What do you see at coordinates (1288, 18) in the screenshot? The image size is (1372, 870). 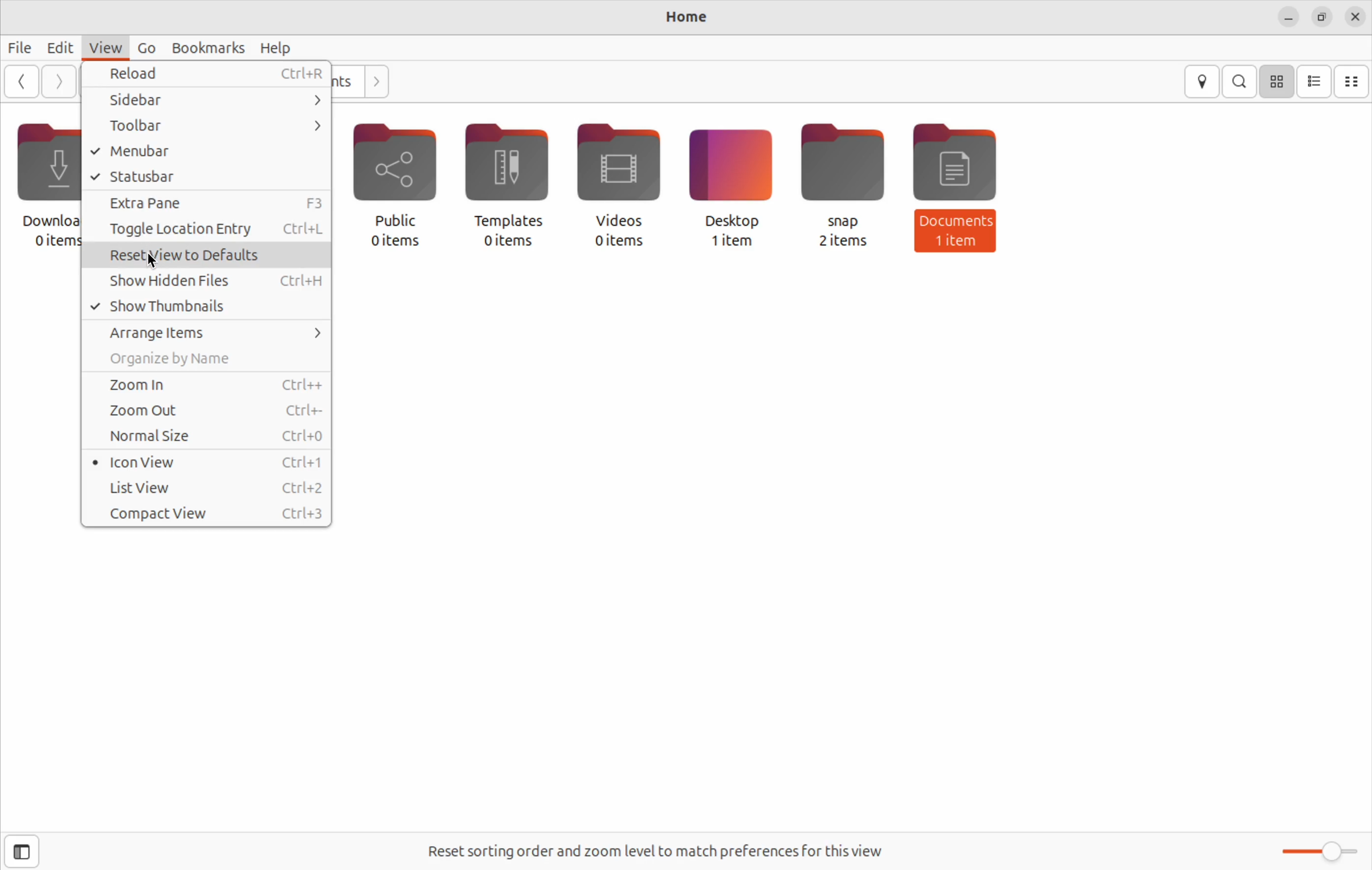 I see `minimize` at bounding box center [1288, 18].